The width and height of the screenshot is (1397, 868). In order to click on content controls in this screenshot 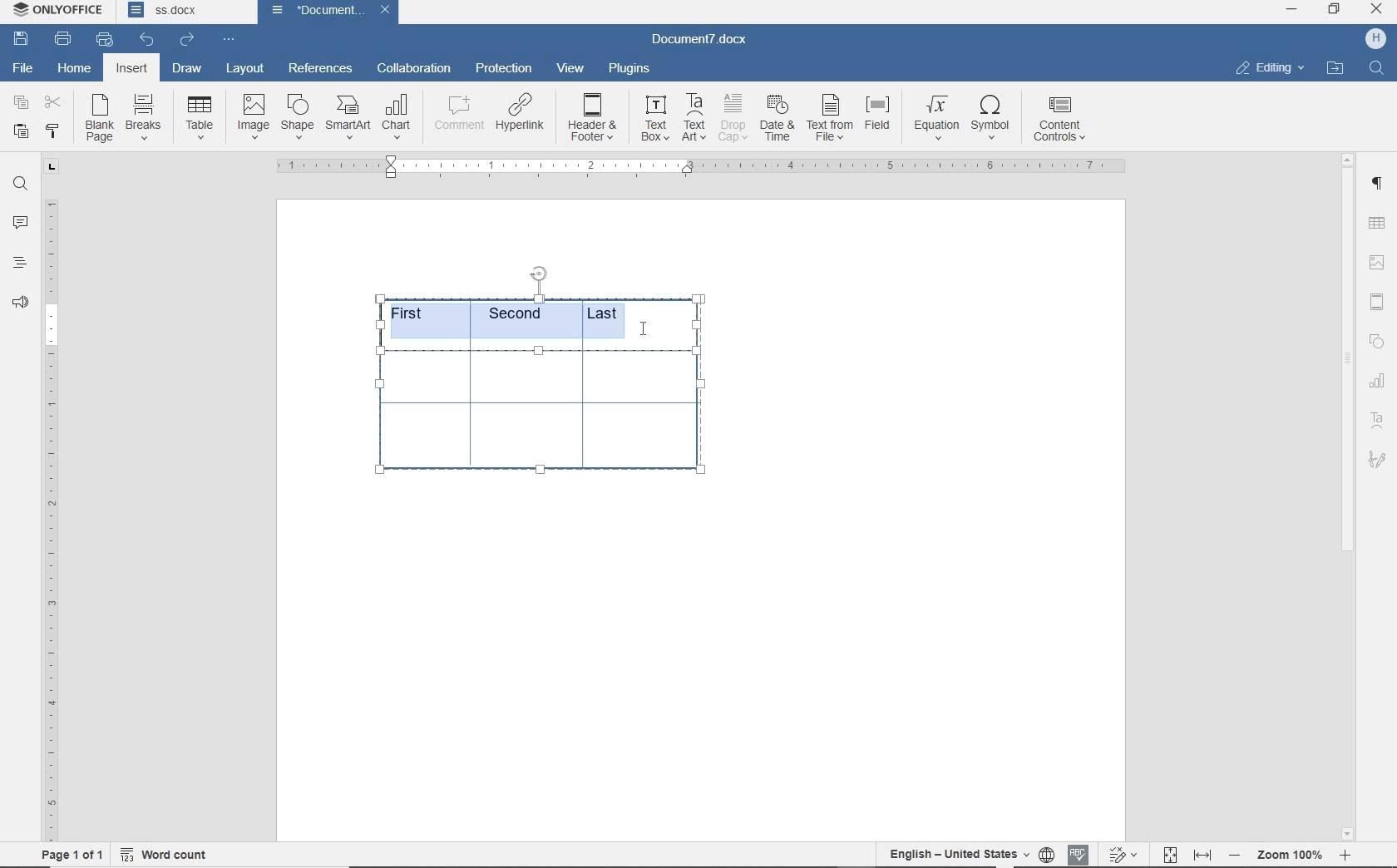, I will do `click(1063, 121)`.